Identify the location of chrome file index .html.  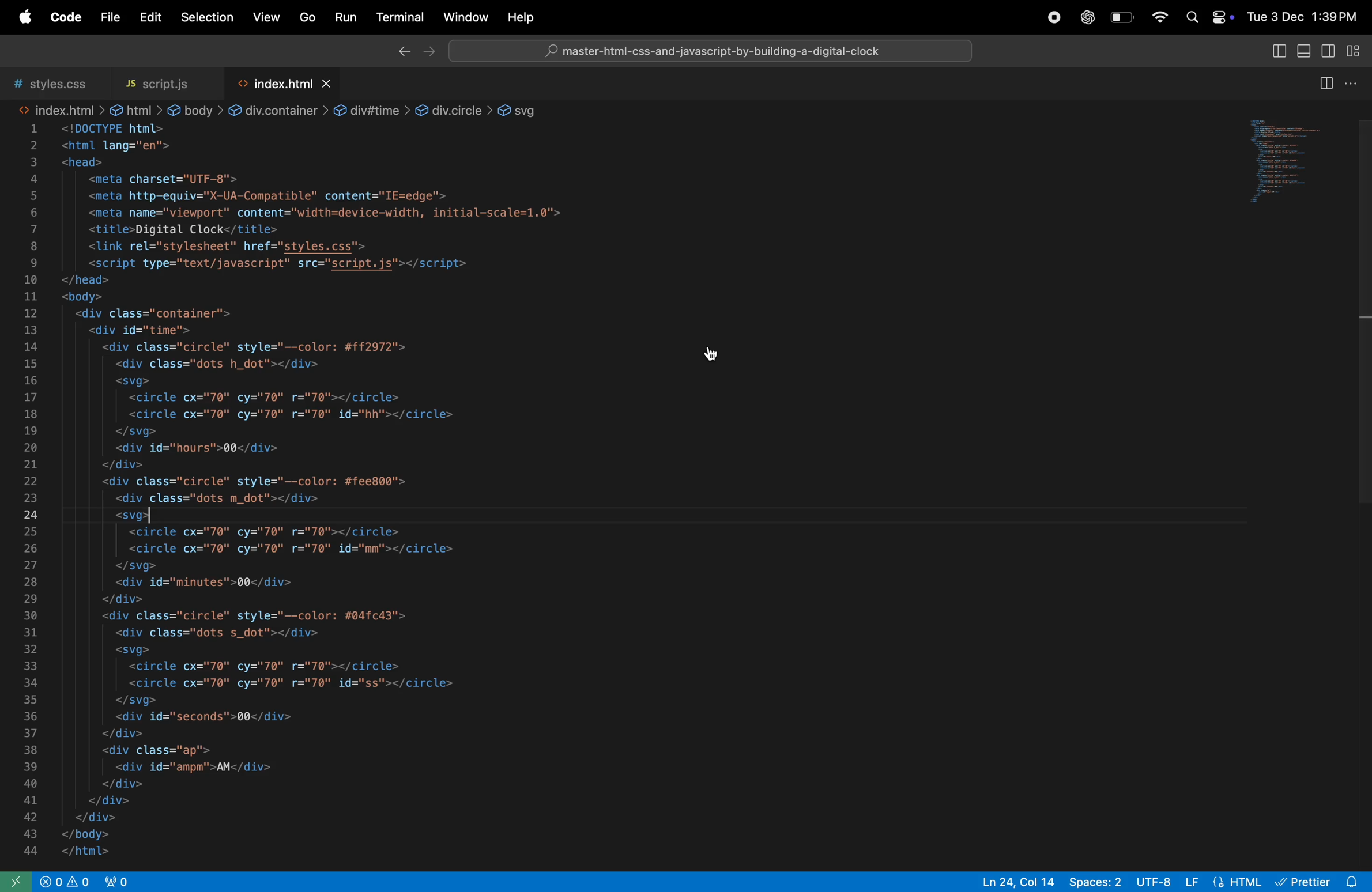
(711, 49).